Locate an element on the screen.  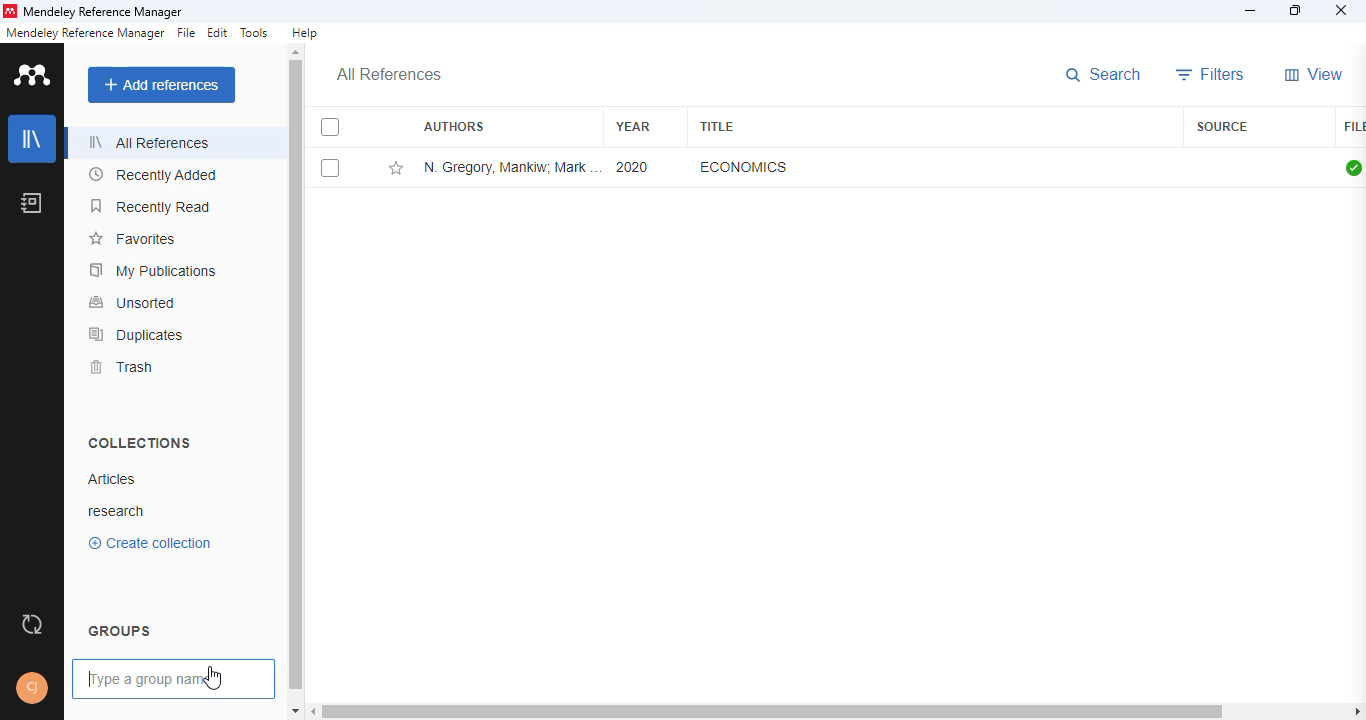
all files downloaded is located at coordinates (1351, 168).